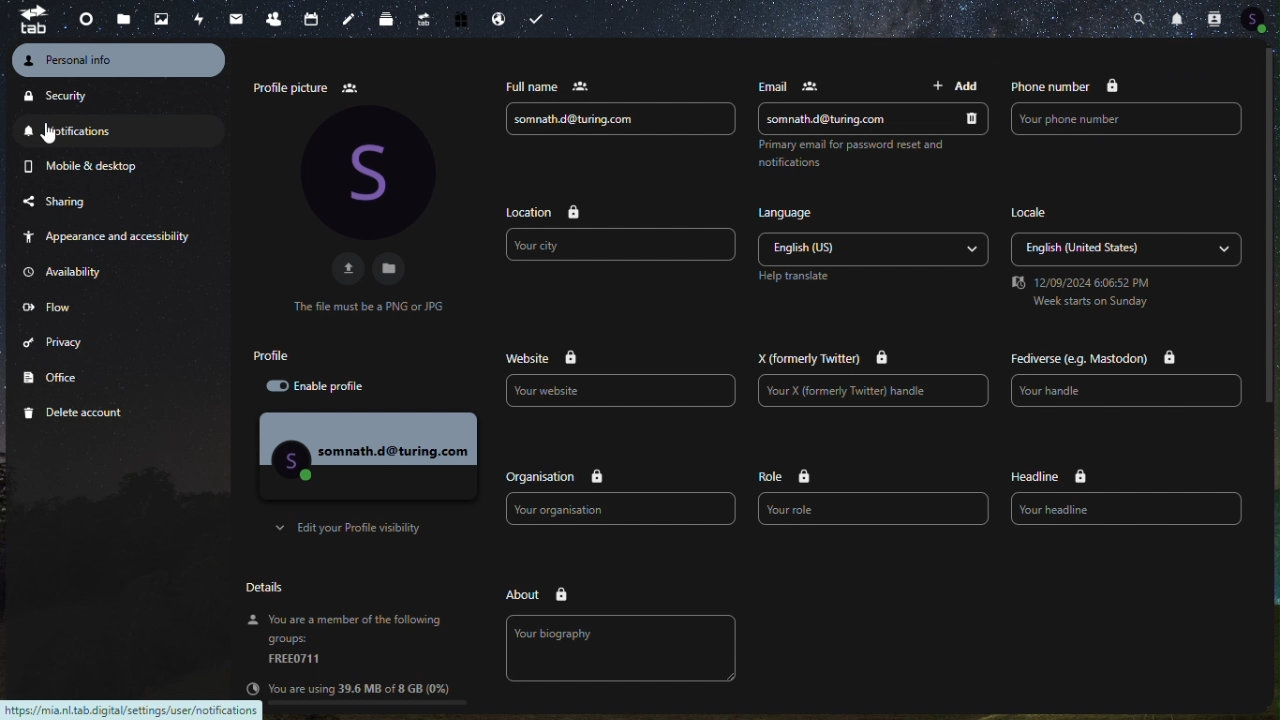 This screenshot has width=1280, height=720. Describe the element at coordinates (461, 19) in the screenshot. I see `free trial` at that location.